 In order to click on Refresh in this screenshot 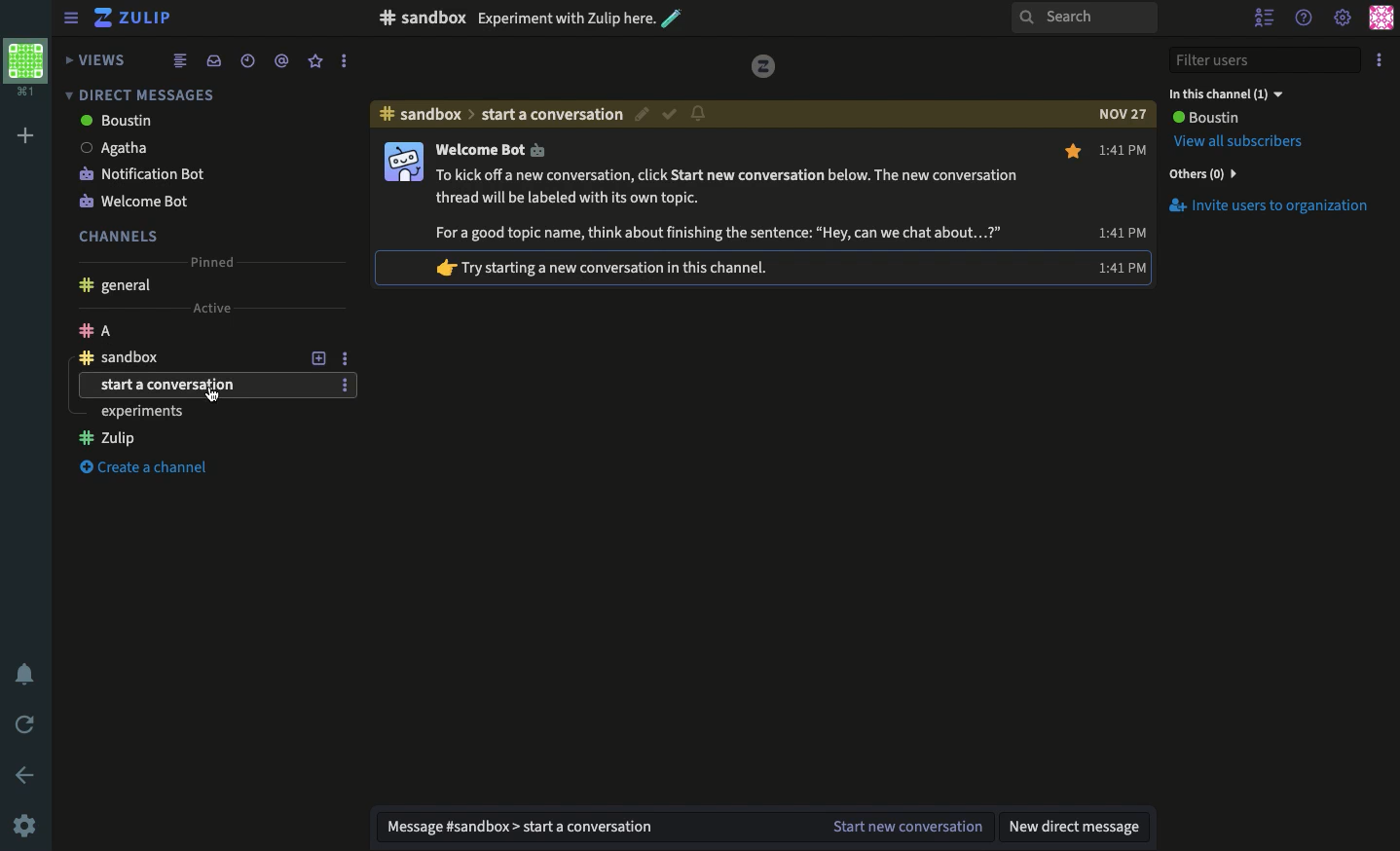, I will do `click(26, 722)`.